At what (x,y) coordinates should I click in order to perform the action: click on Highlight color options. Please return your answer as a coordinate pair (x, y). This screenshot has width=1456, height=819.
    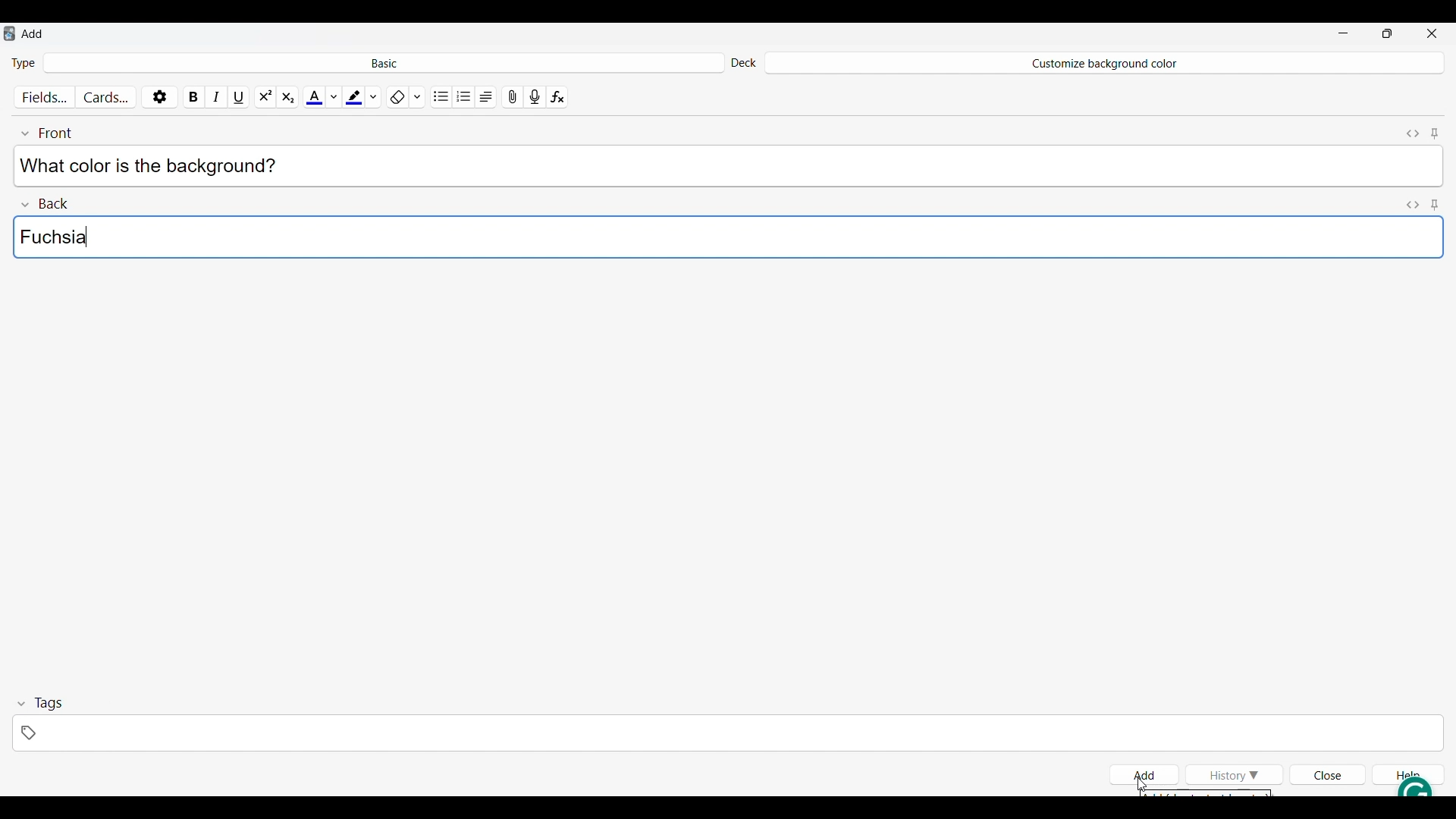
    Looking at the image, I should click on (374, 94).